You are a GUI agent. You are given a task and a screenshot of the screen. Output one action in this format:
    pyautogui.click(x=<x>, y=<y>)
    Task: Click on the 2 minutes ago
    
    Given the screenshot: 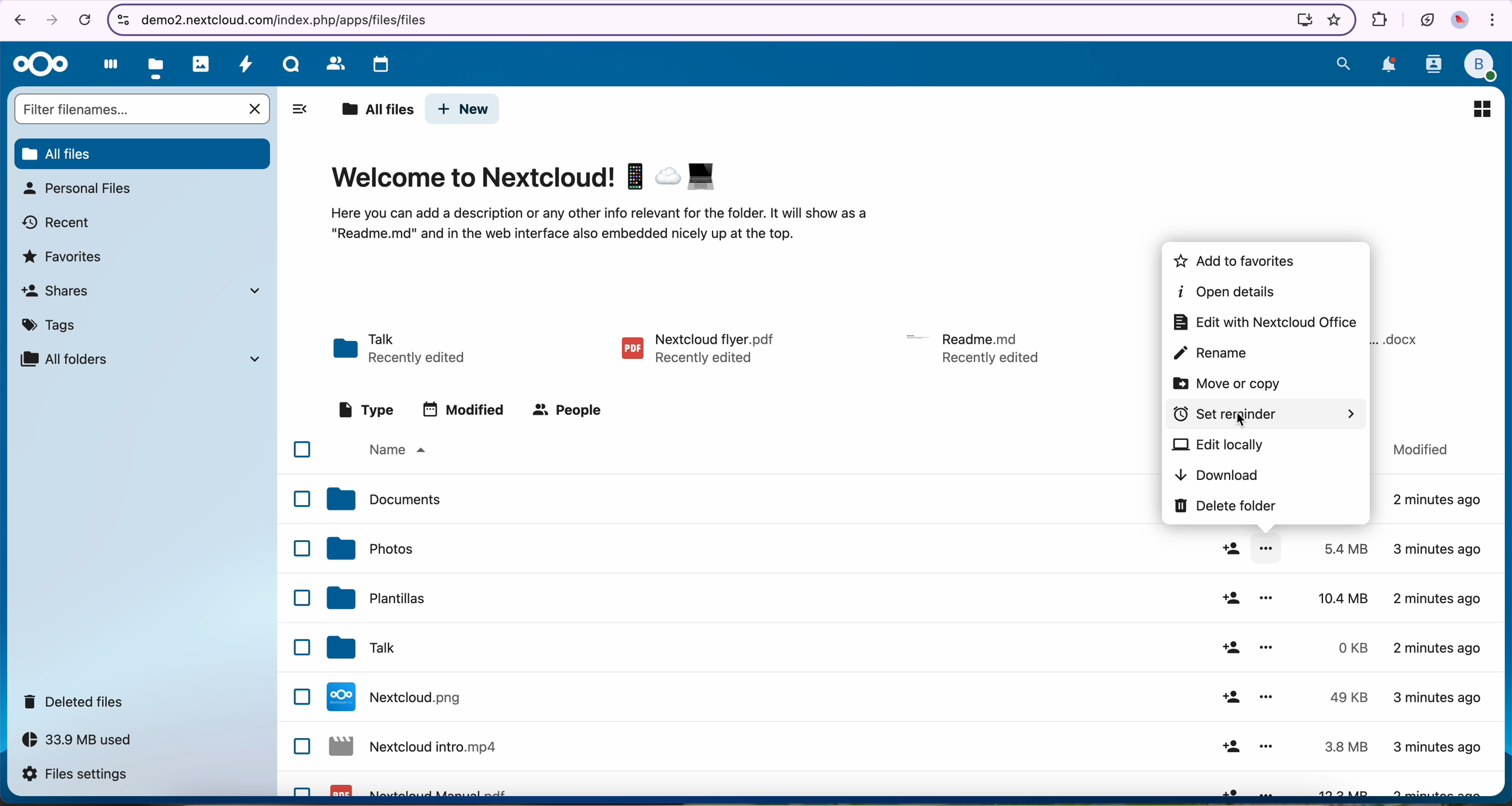 What is the action you would take?
    pyautogui.click(x=1438, y=652)
    